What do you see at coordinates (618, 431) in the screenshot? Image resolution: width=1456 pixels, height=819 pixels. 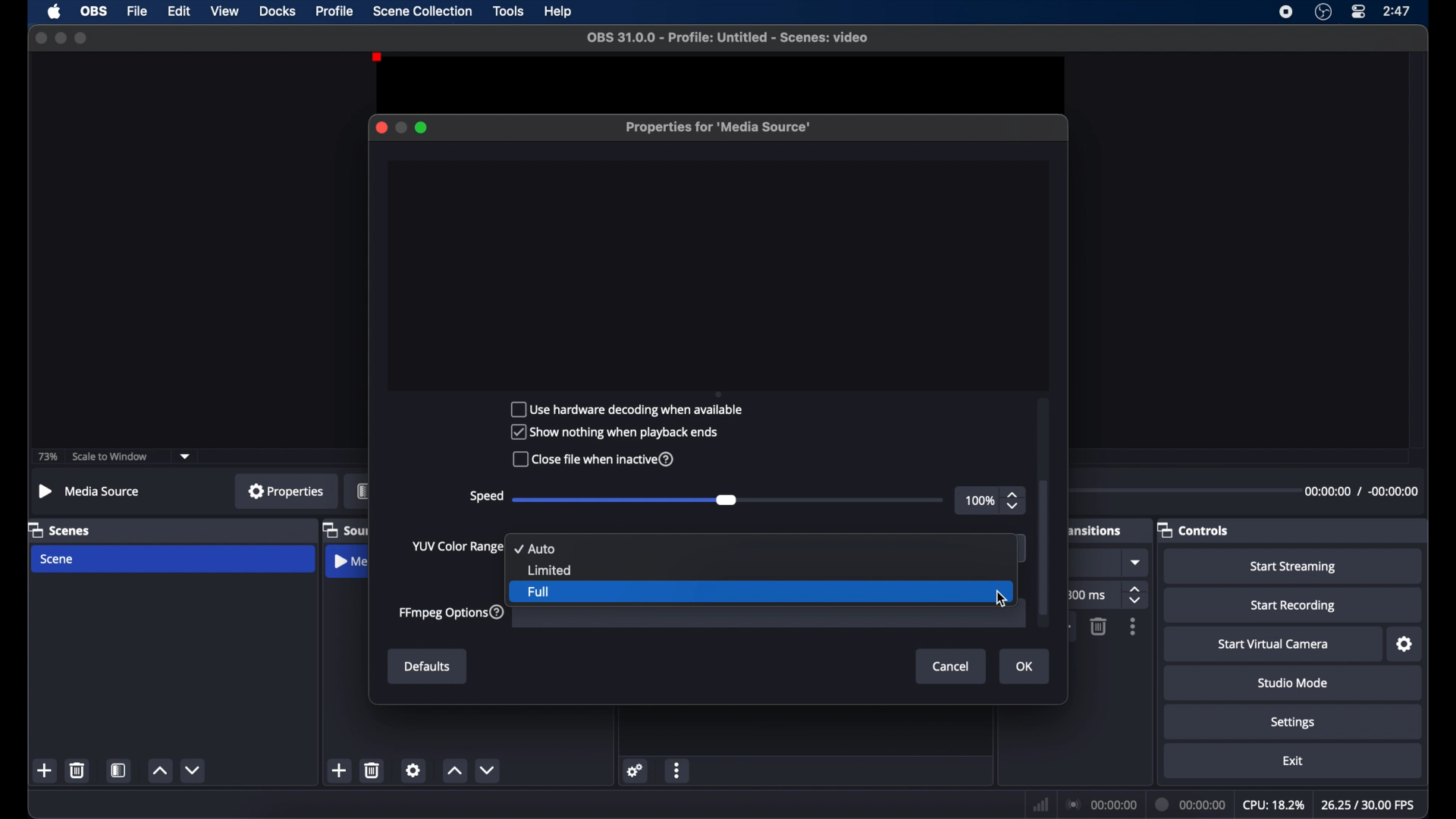 I see `Show nothing when playback ends` at bounding box center [618, 431].